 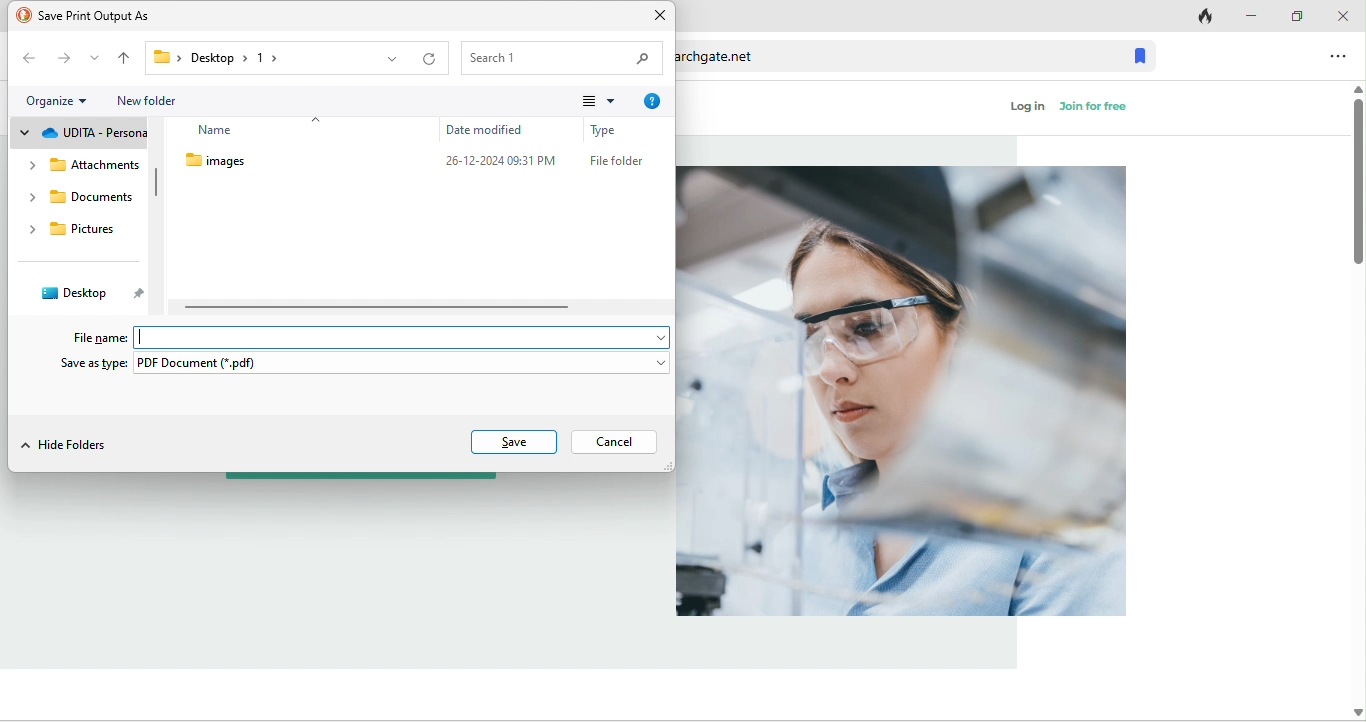 I want to click on close, so click(x=656, y=17).